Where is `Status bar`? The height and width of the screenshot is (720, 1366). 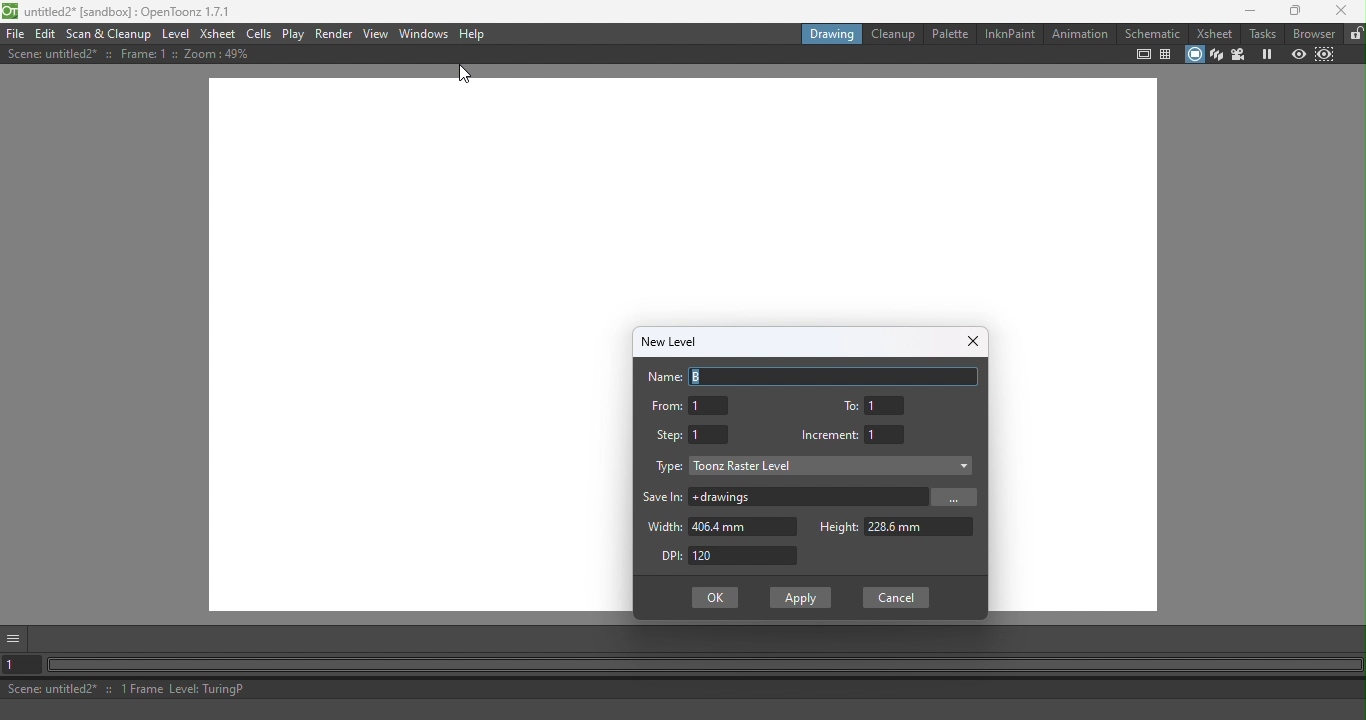
Status bar is located at coordinates (686, 691).